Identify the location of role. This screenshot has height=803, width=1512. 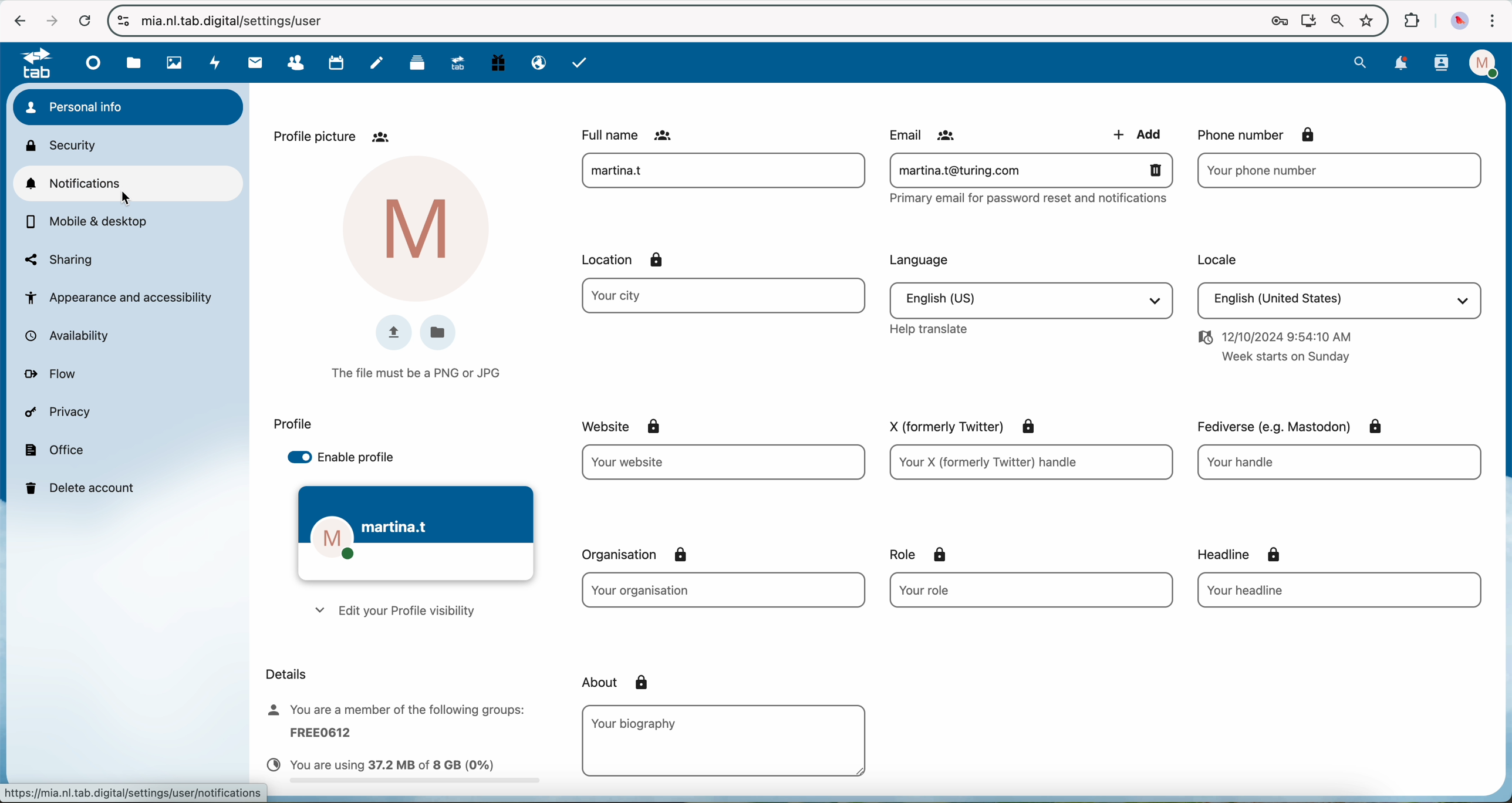
(1032, 591).